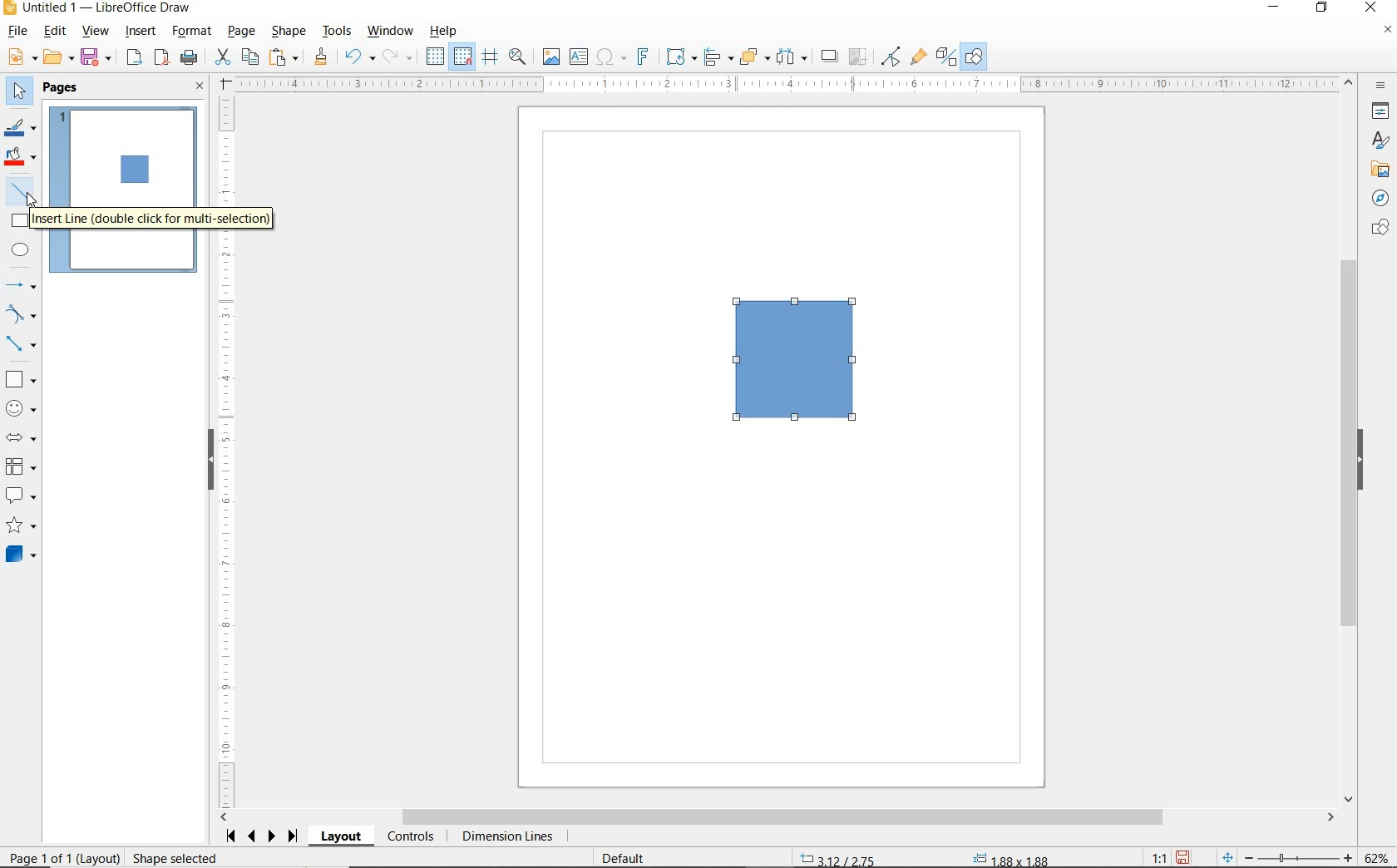  What do you see at coordinates (1380, 196) in the screenshot?
I see `NAVIGATOR` at bounding box center [1380, 196].